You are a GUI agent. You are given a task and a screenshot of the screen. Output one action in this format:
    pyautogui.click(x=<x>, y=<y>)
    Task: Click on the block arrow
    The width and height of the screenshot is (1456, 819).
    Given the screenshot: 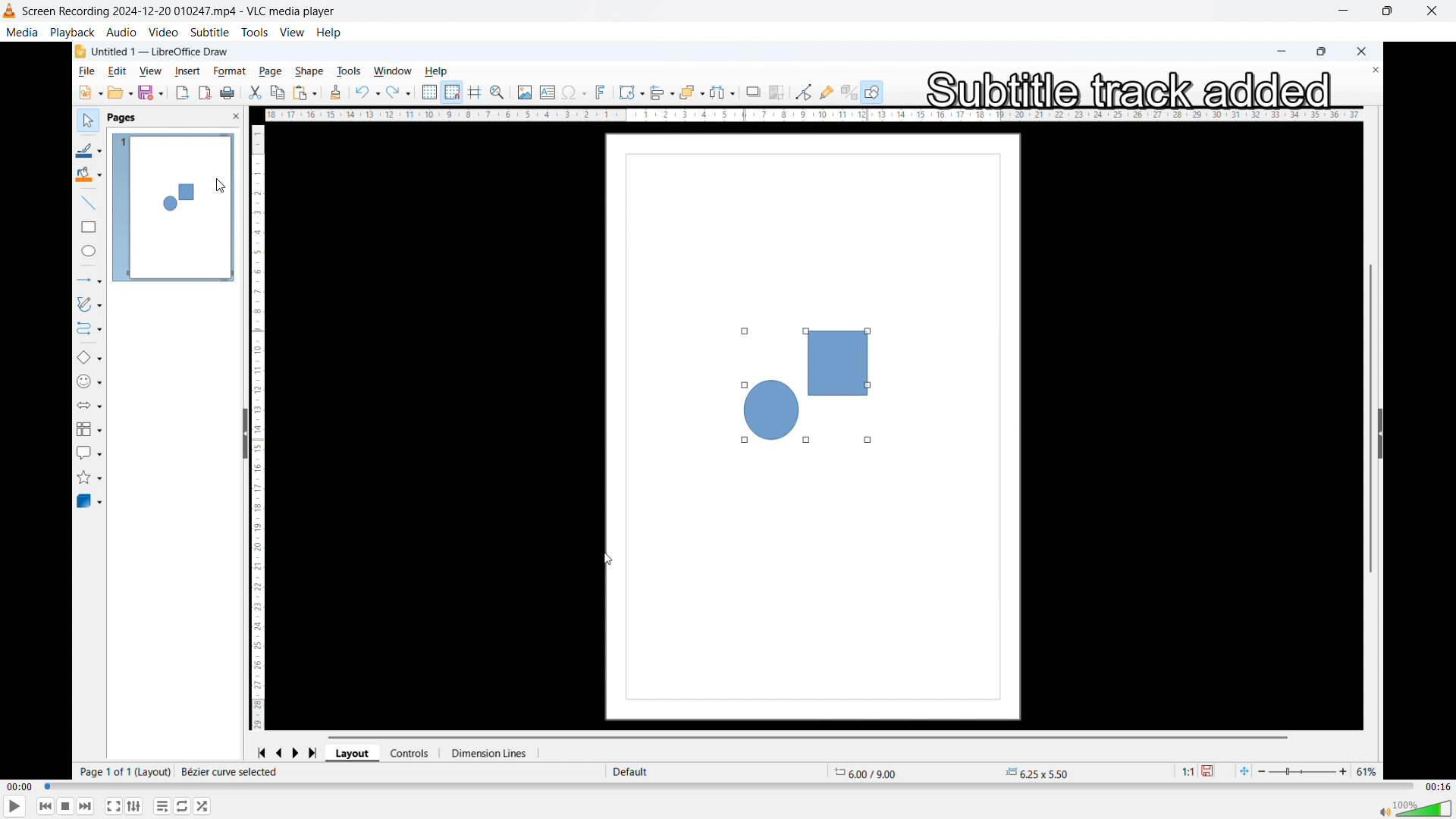 What is the action you would take?
    pyautogui.click(x=94, y=406)
    